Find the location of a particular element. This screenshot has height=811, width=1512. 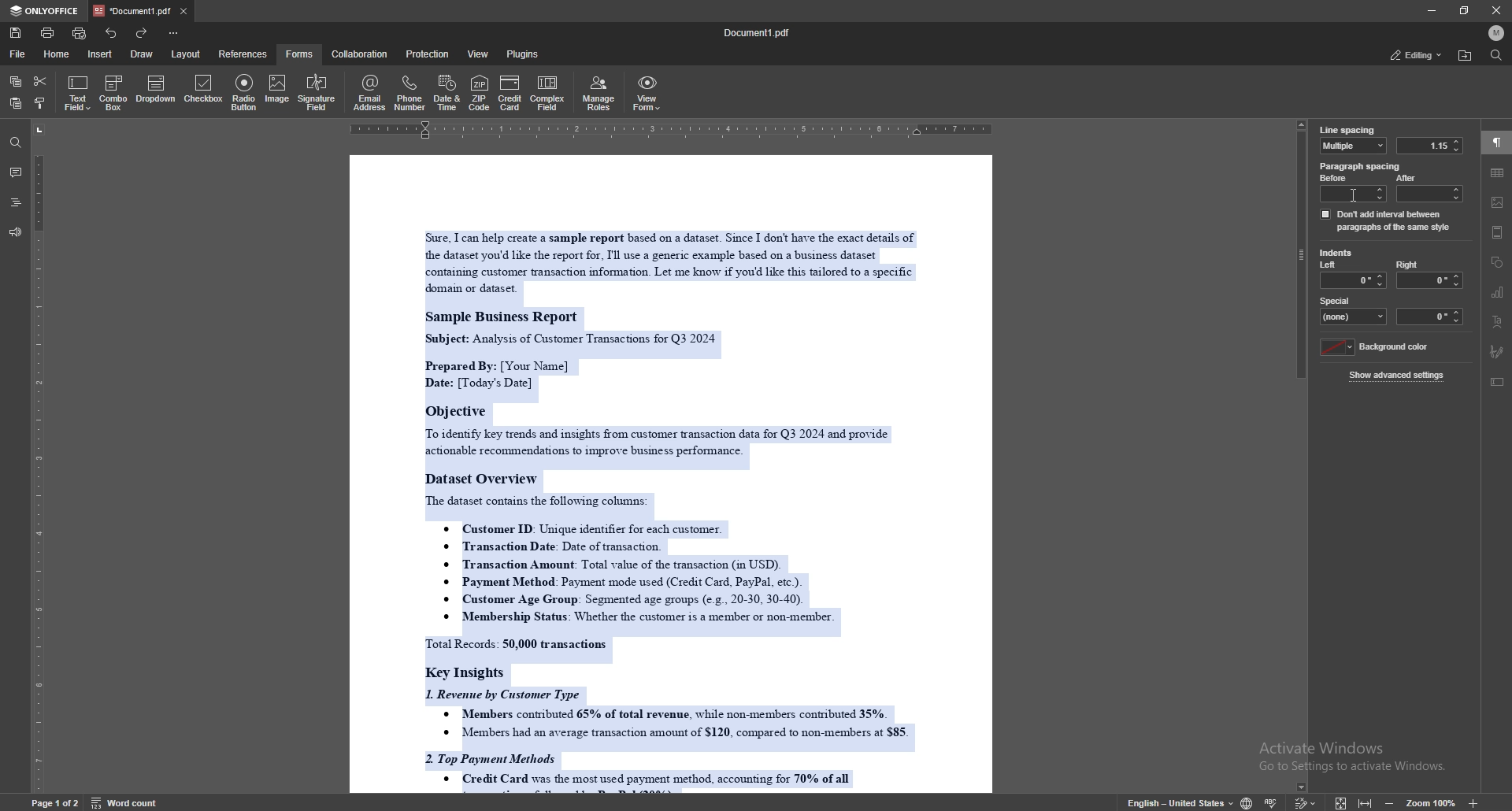

line spacing type is located at coordinates (1354, 146).